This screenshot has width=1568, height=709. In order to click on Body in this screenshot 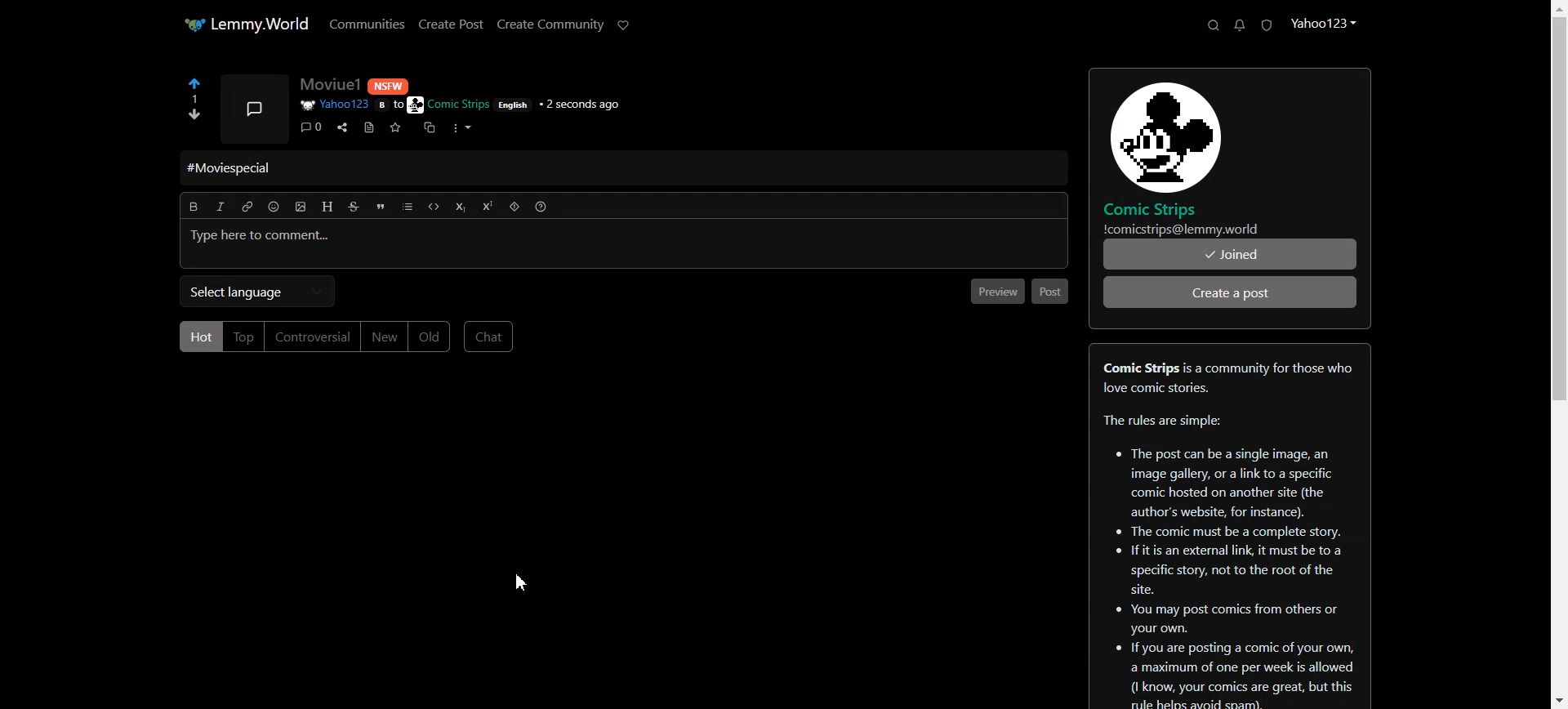, I will do `click(388, 244)`.